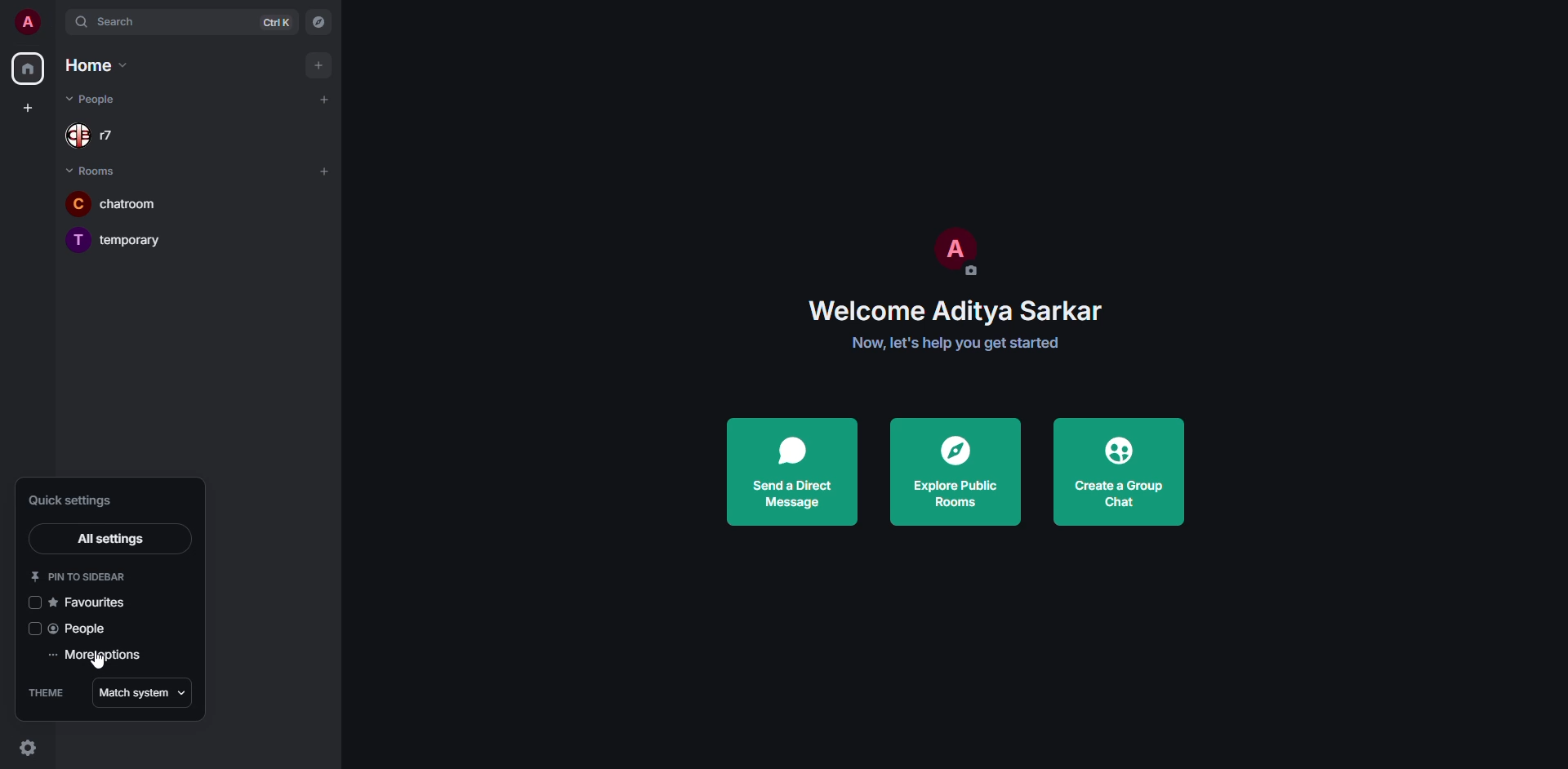  Describe the element at coordinates (951, 469) in the screenshot. I see `explore public rooms` at that location.